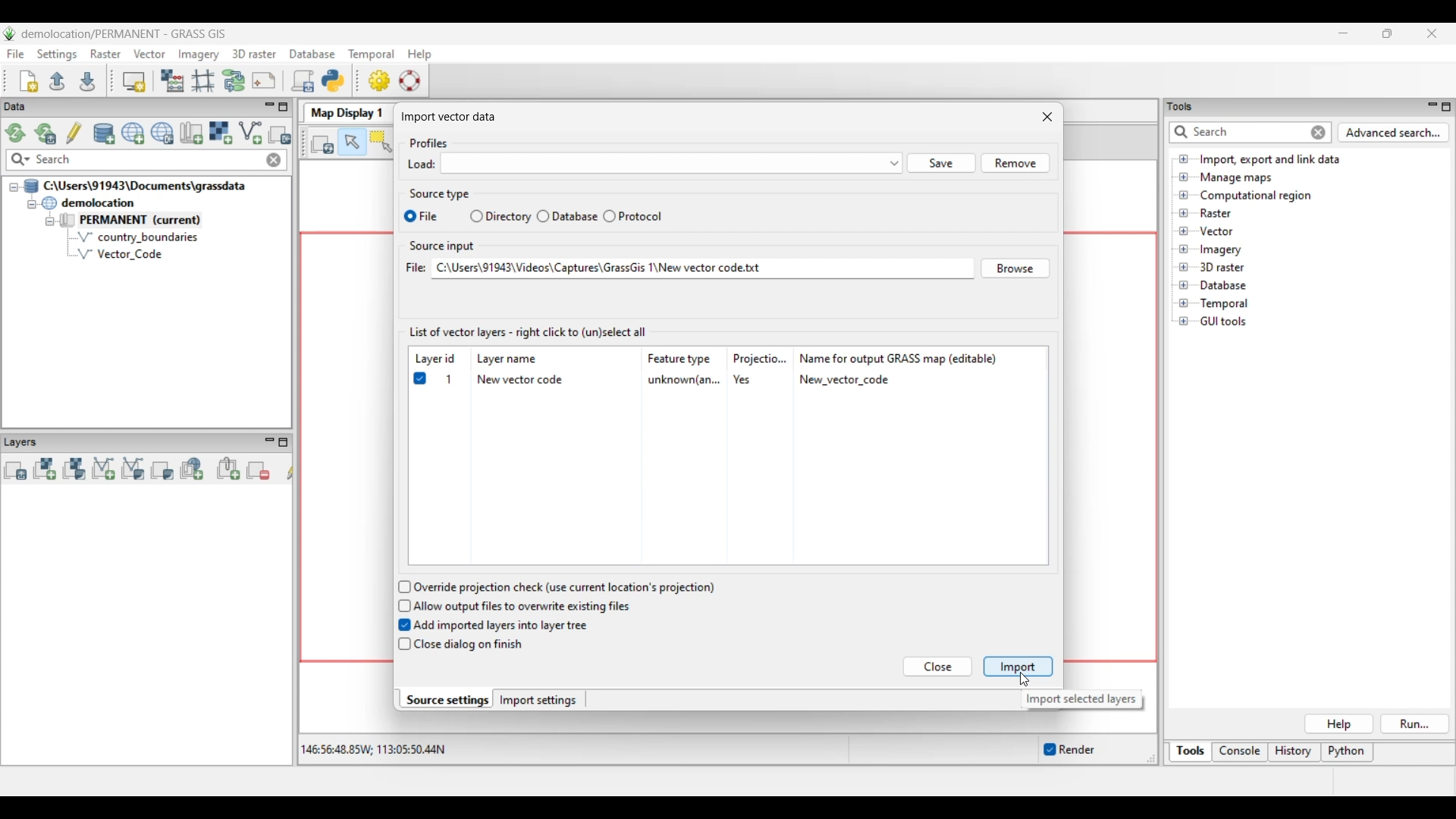  Describe the element at coordinates (1431, 33) in the screenshot. I see `Close interface` at that location.